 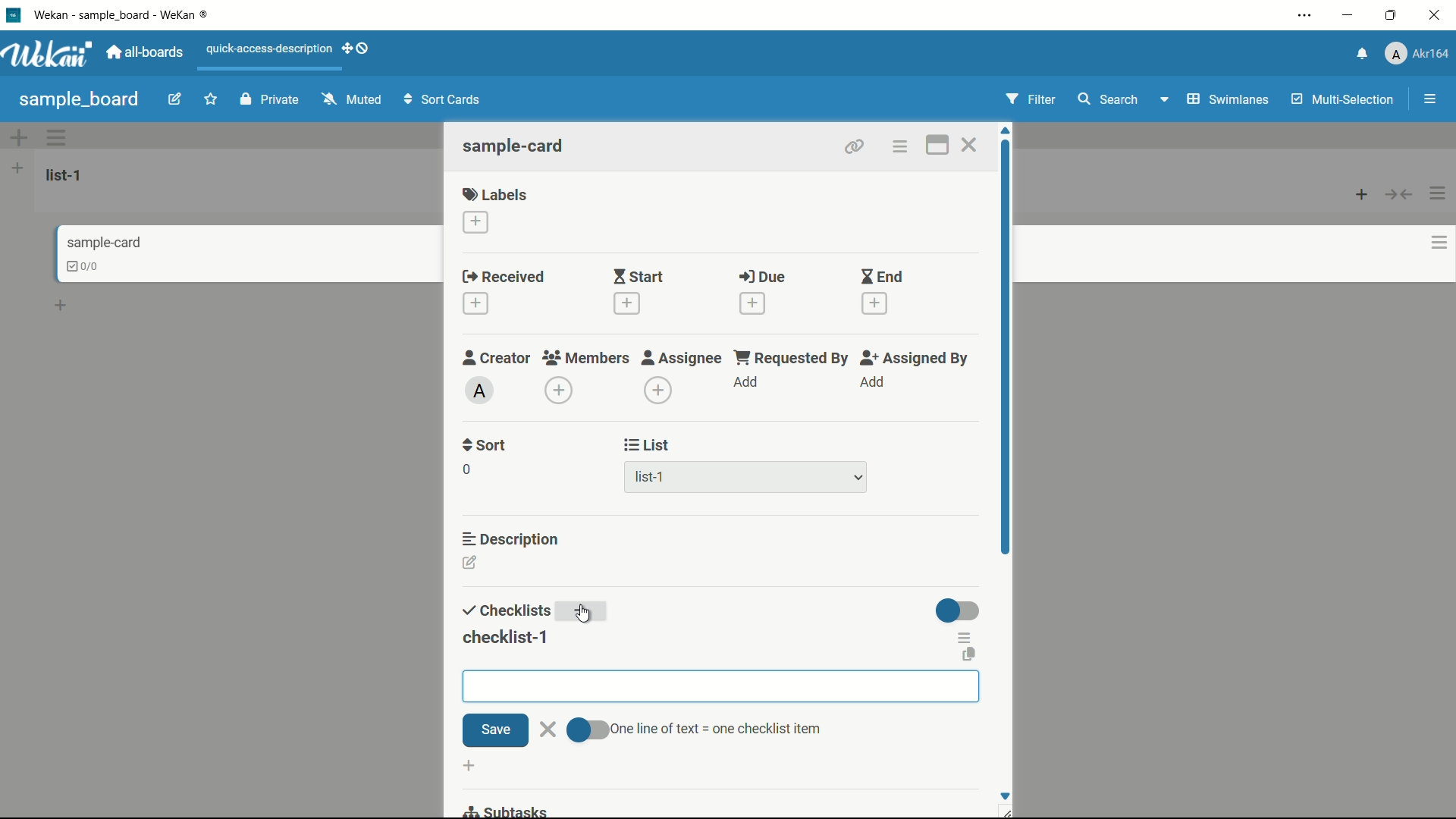 What do you see at coordinates (1163, 102) in the screenshot?
I see `dropdown` at bounding box center [1163, 102].